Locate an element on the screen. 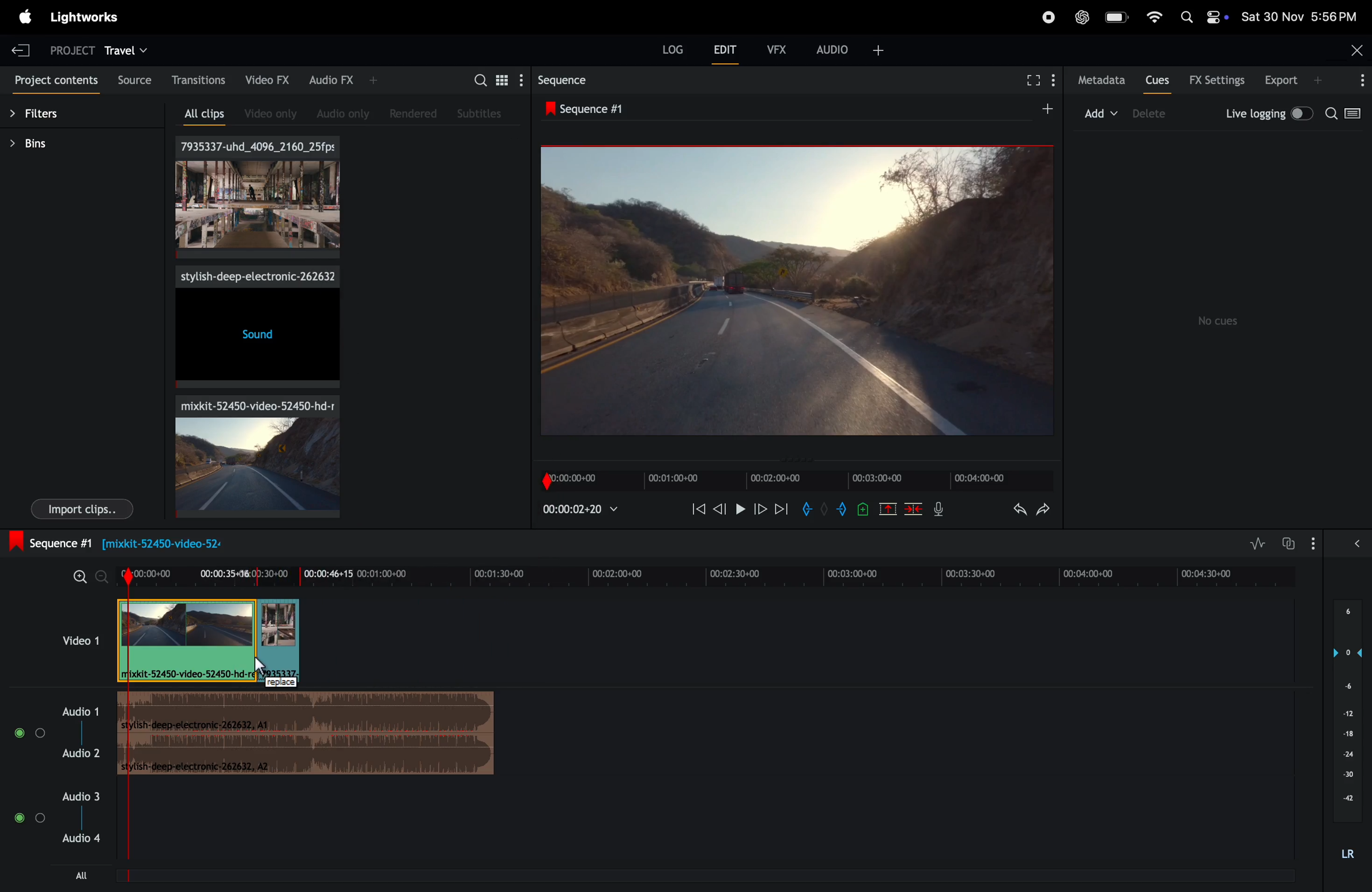 The height and width of the screenshot is (892, 1372). video clip is located at coordinates (250, 455).